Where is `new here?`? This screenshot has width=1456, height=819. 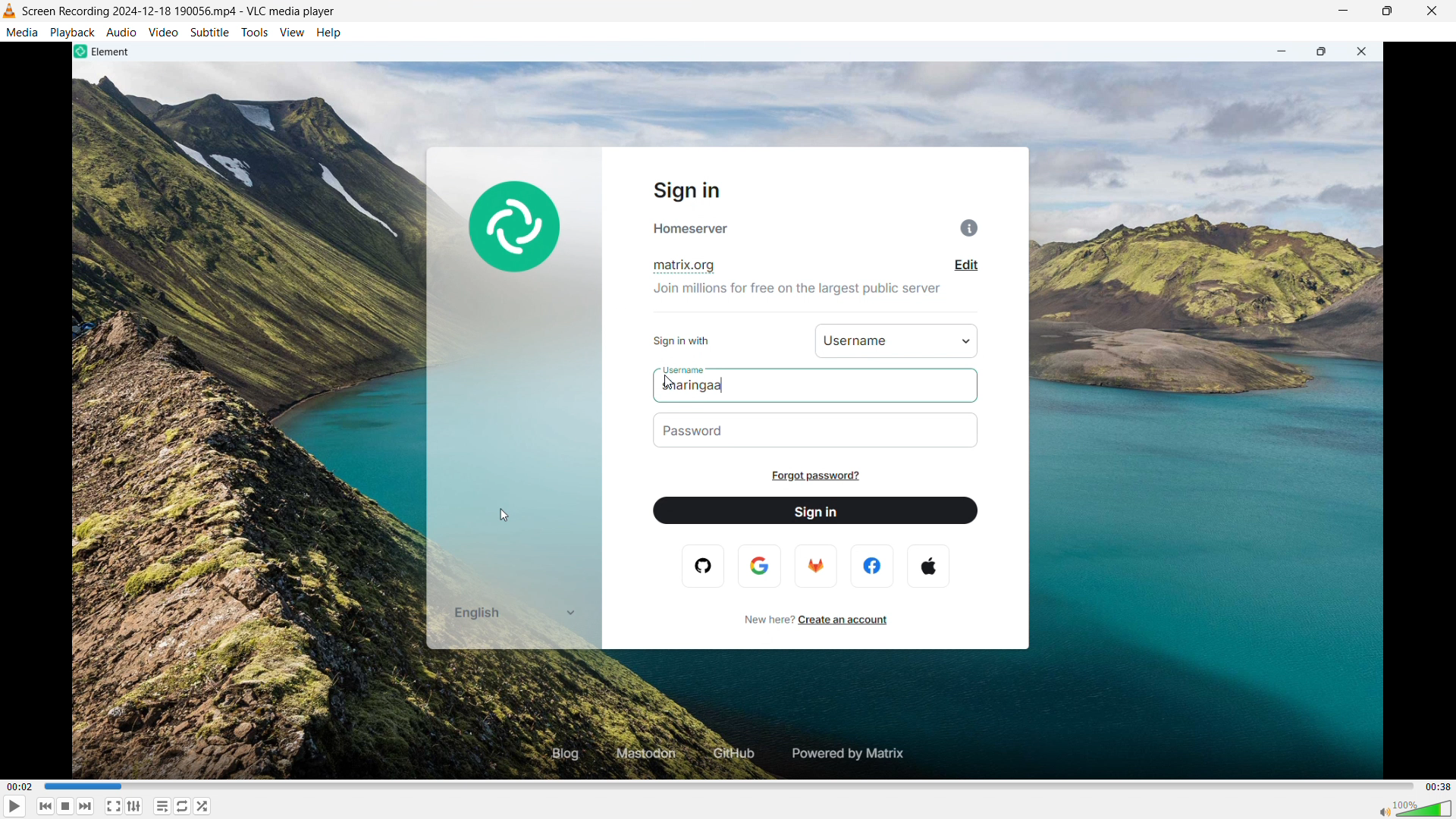
new here? is located at coordinates (766, 618).